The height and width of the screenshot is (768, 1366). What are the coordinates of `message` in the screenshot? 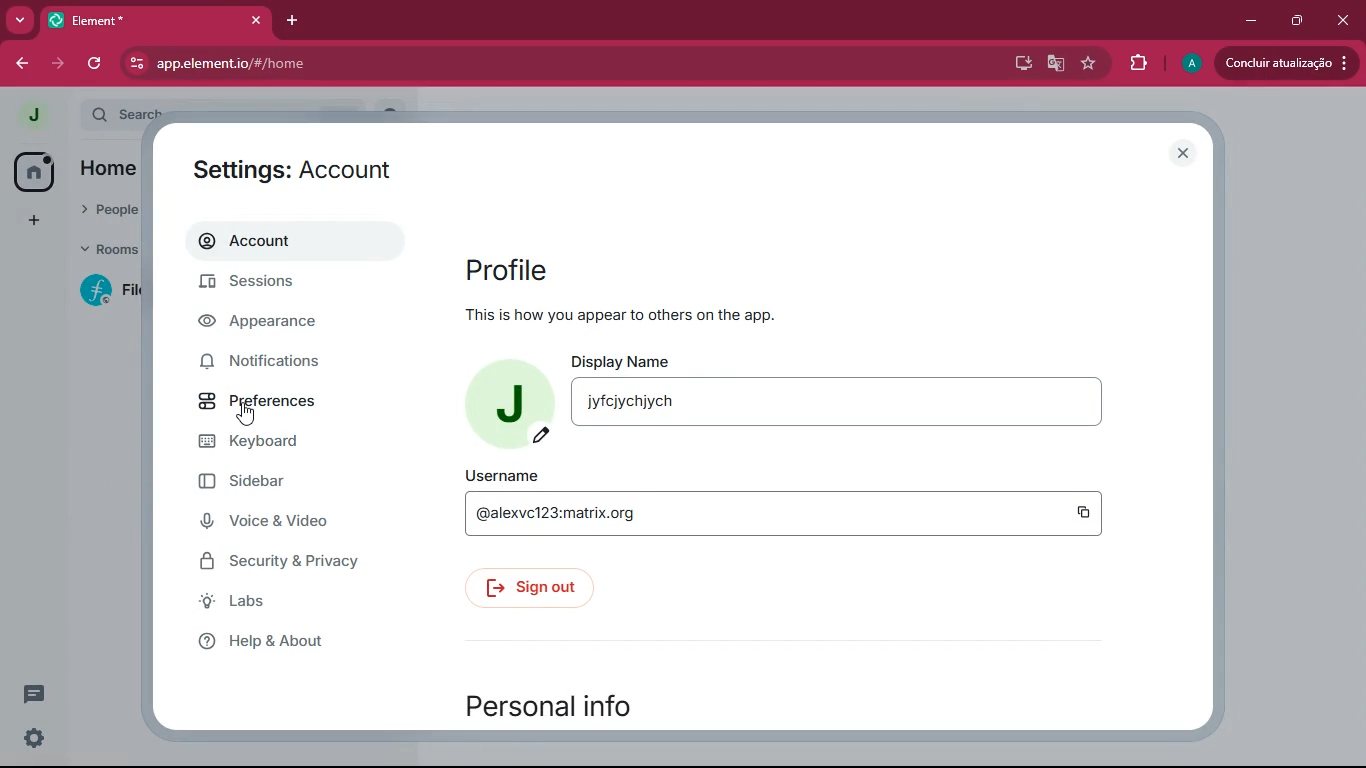 It's located at (34, 693).